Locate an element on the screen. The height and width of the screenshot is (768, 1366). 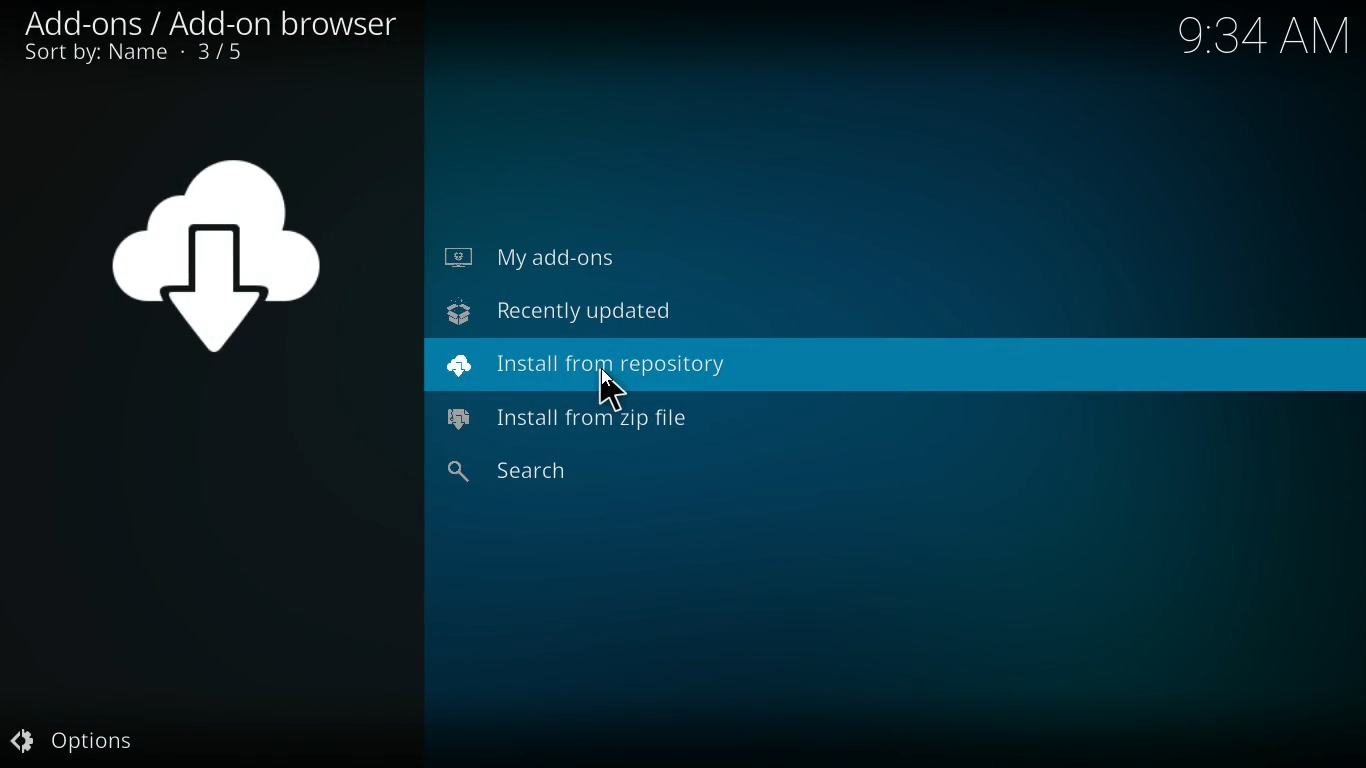
add-ons is located at coordinates (214, 21).